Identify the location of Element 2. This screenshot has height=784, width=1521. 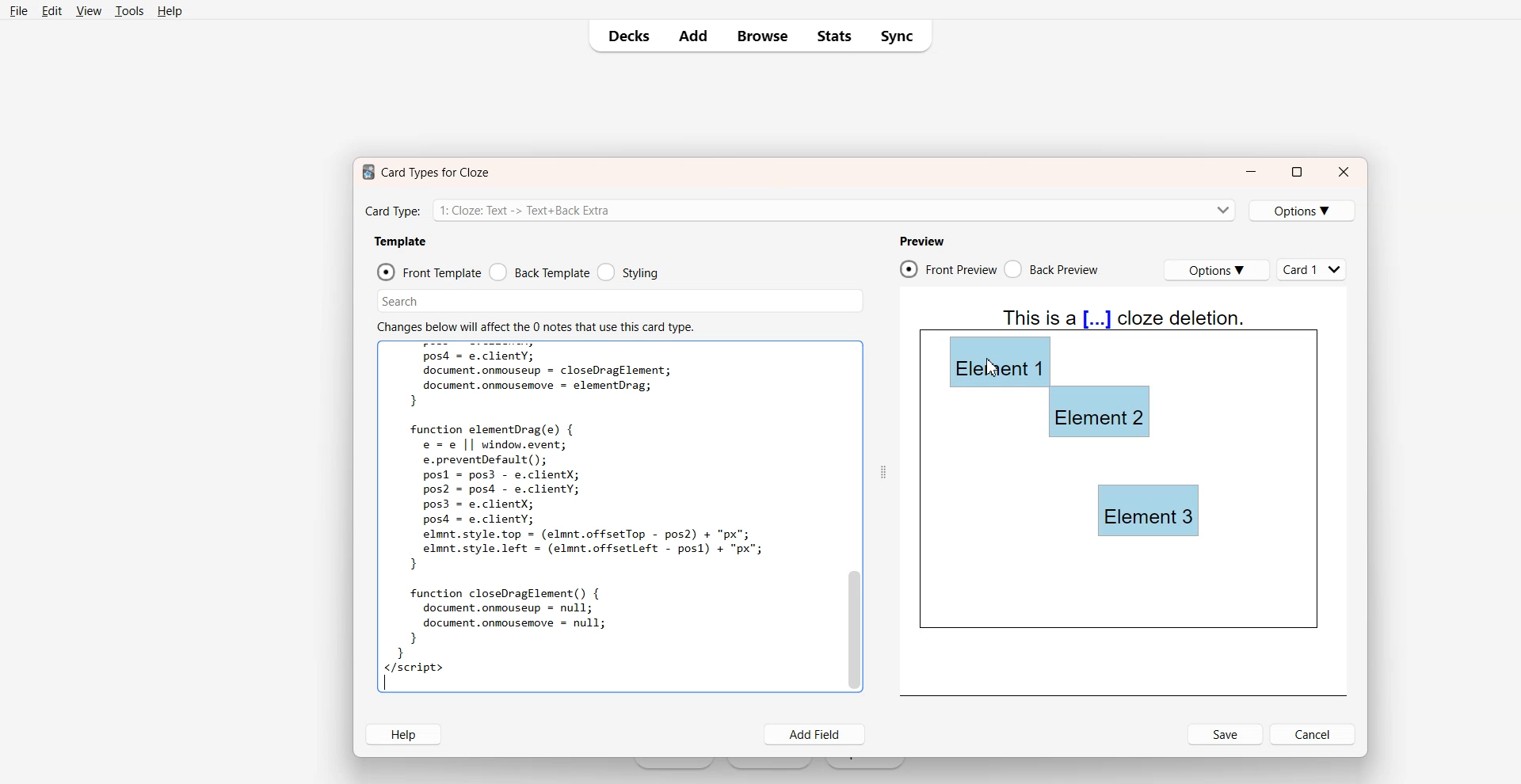
(1100, 412).